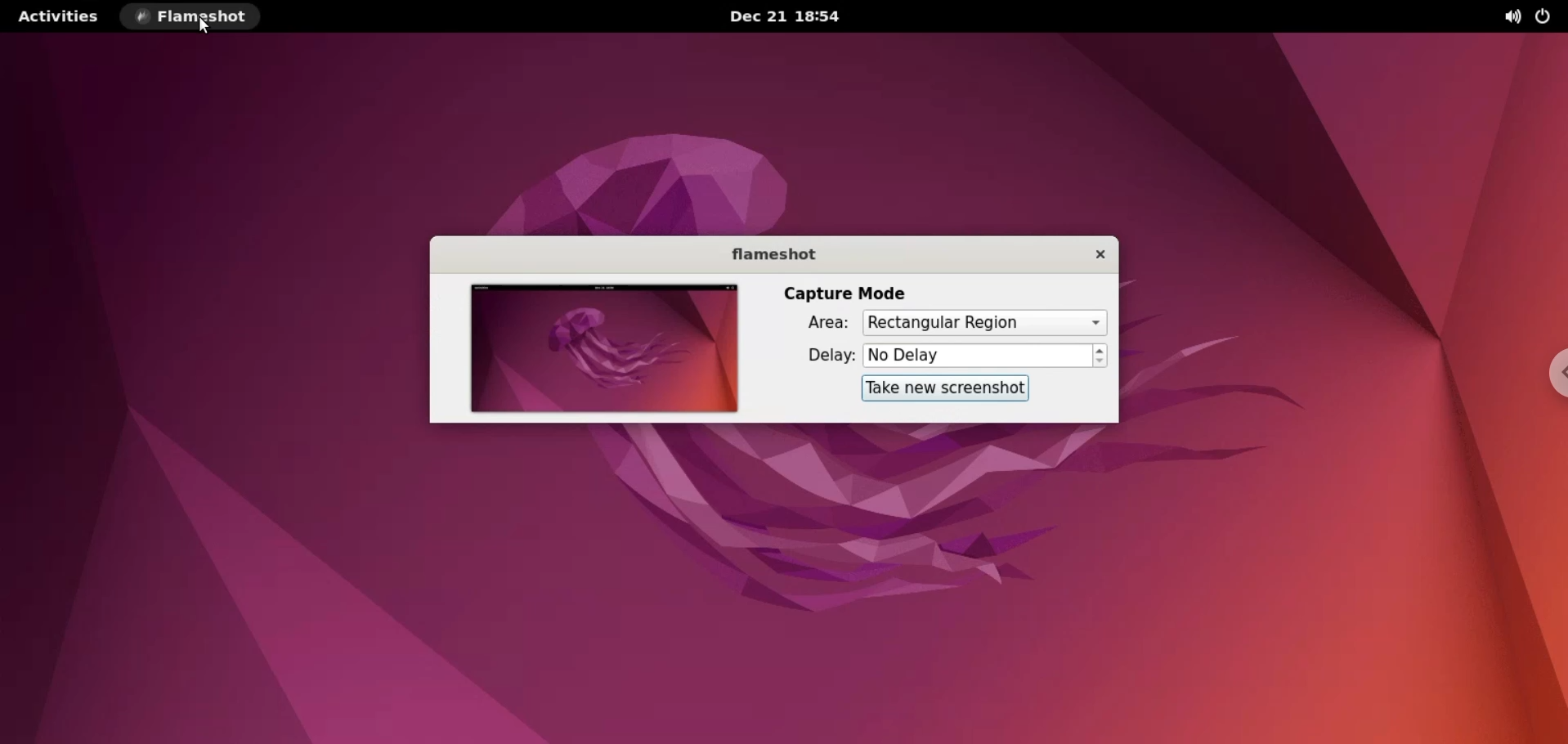 The width and height of the screenshot is (1568, 744). What do you see at coordinates (56, 16) in the screenshot?
I see `activities ` at bounding box center [56, 16].